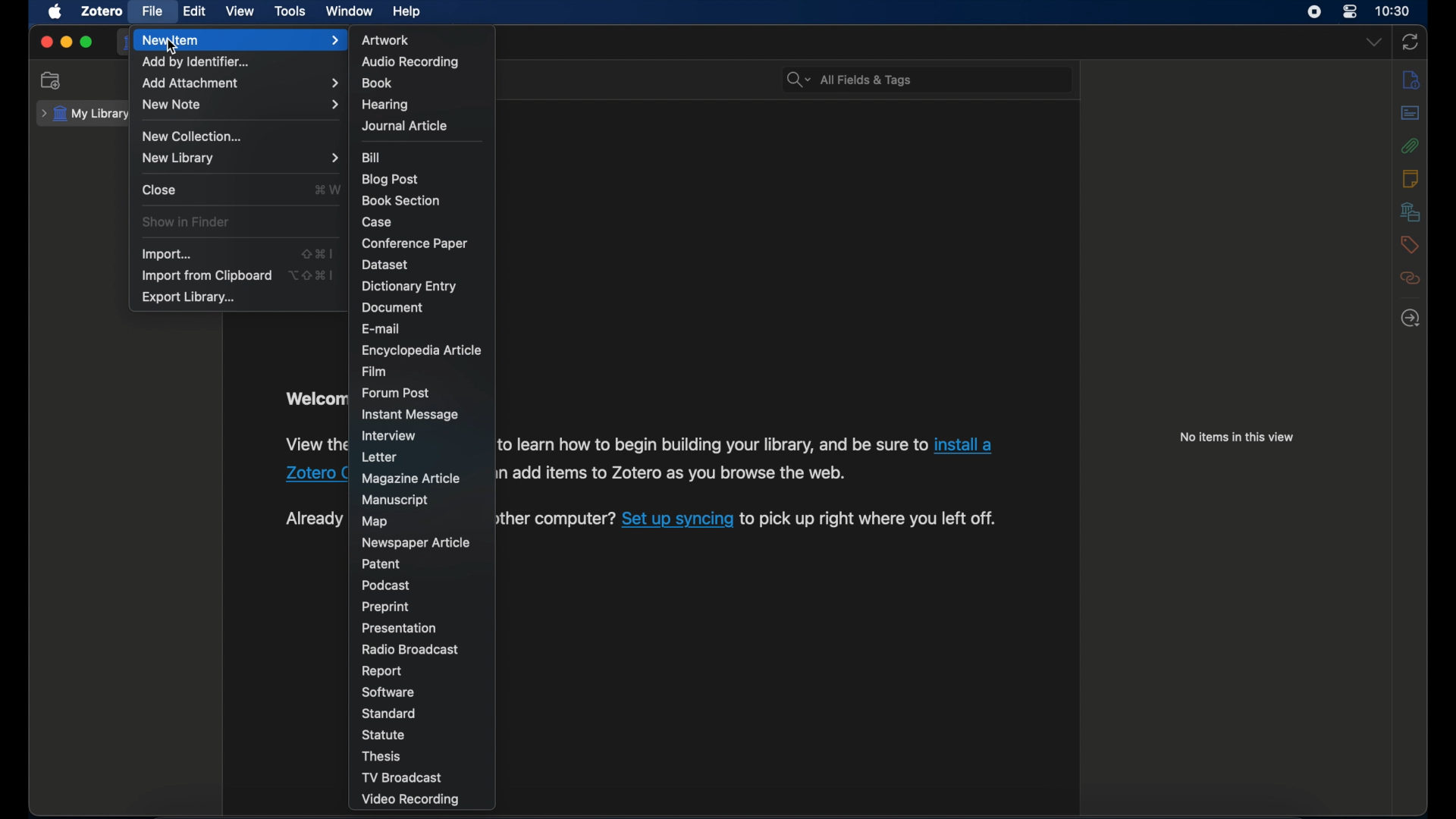  Describe the element at coordinates (1410, 146) in the screenshot. I see `attachments` at that location.